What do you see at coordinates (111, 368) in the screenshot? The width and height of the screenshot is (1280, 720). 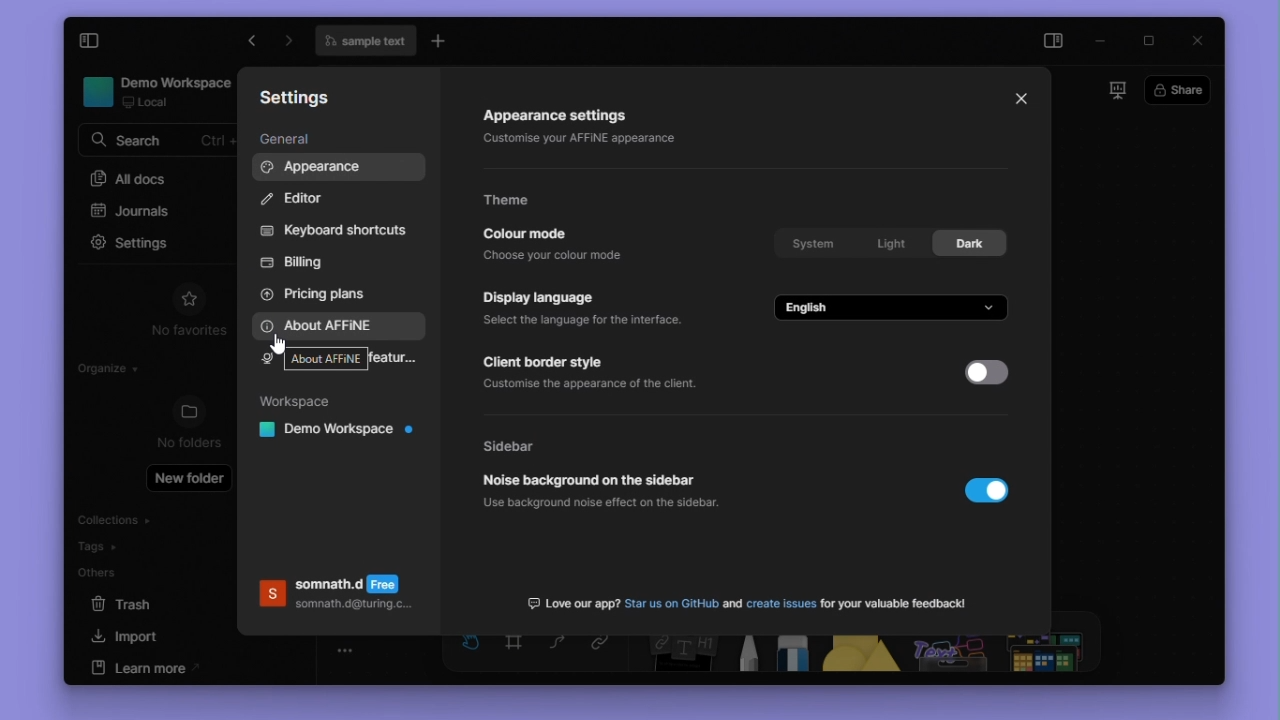 I see `organize` at bounding box center [111, 368].